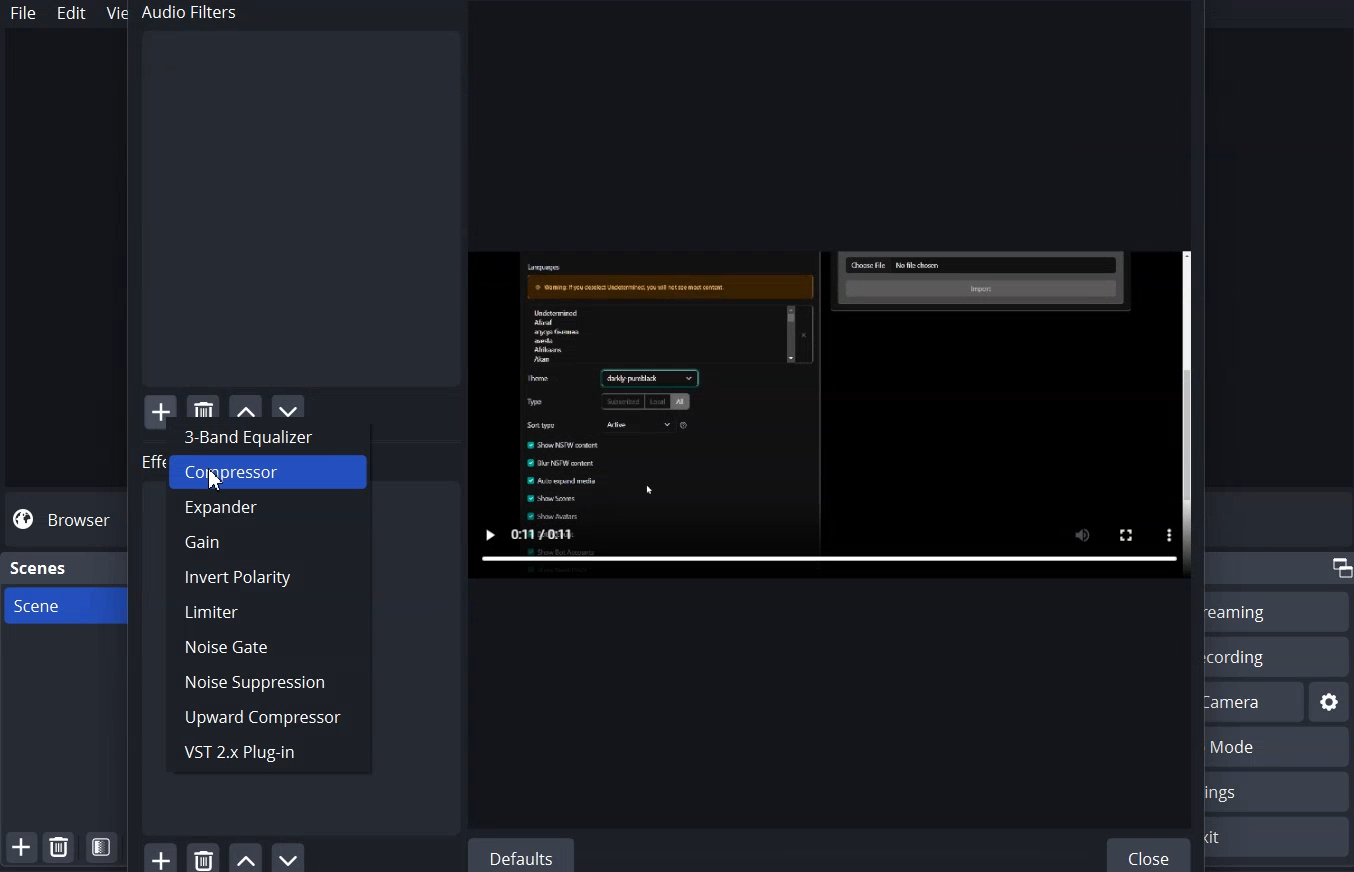 Image resolution: width=1354 pixels, height=872 pixels. What do you see at coordinates (1279, 748) in the screenshot?
I see `Studio Mode` at bounding box center [1279, 748].